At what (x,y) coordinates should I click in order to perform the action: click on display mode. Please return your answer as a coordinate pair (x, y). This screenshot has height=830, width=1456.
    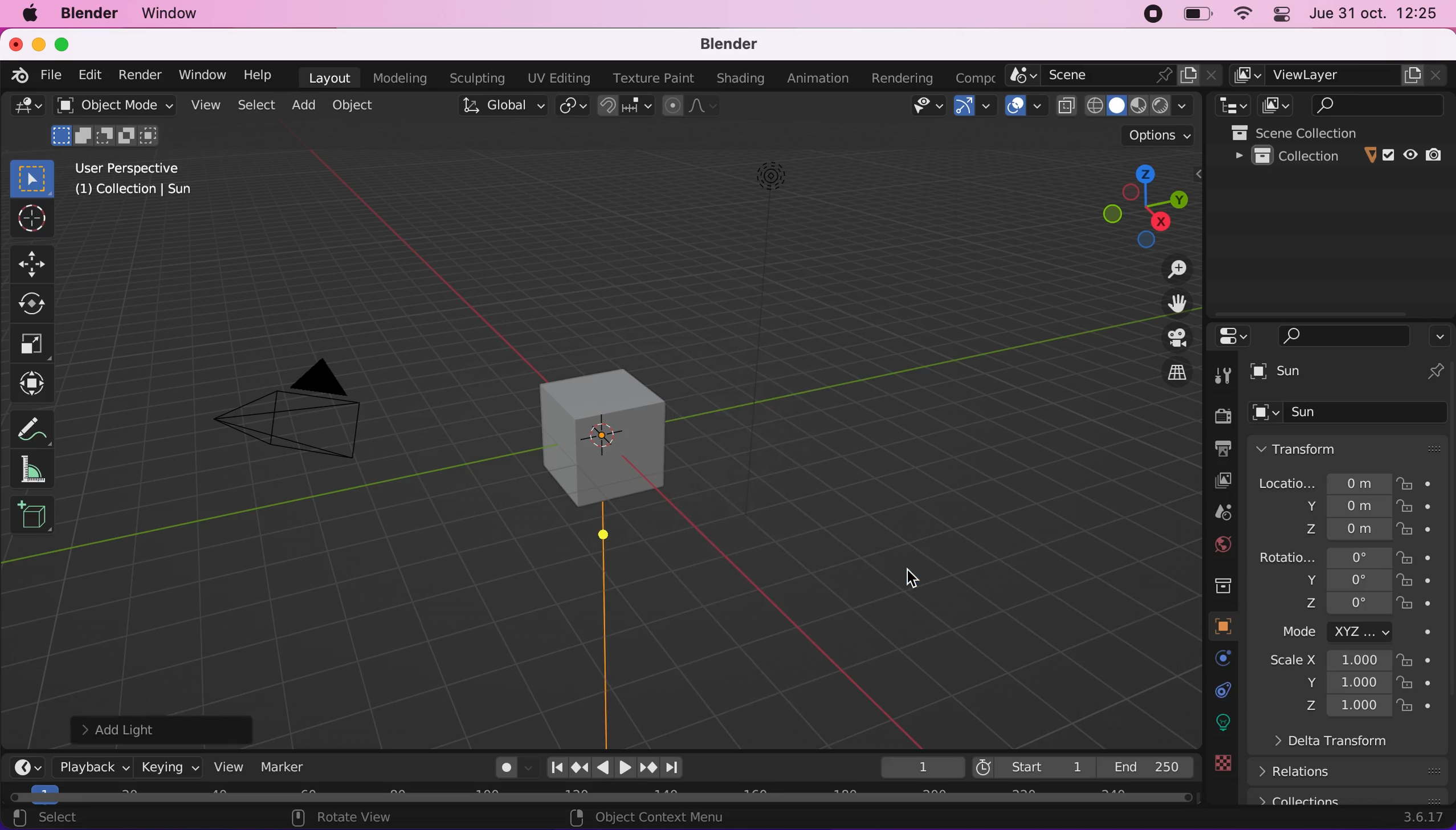
    Looking at the image, I should click on (1273, 105).